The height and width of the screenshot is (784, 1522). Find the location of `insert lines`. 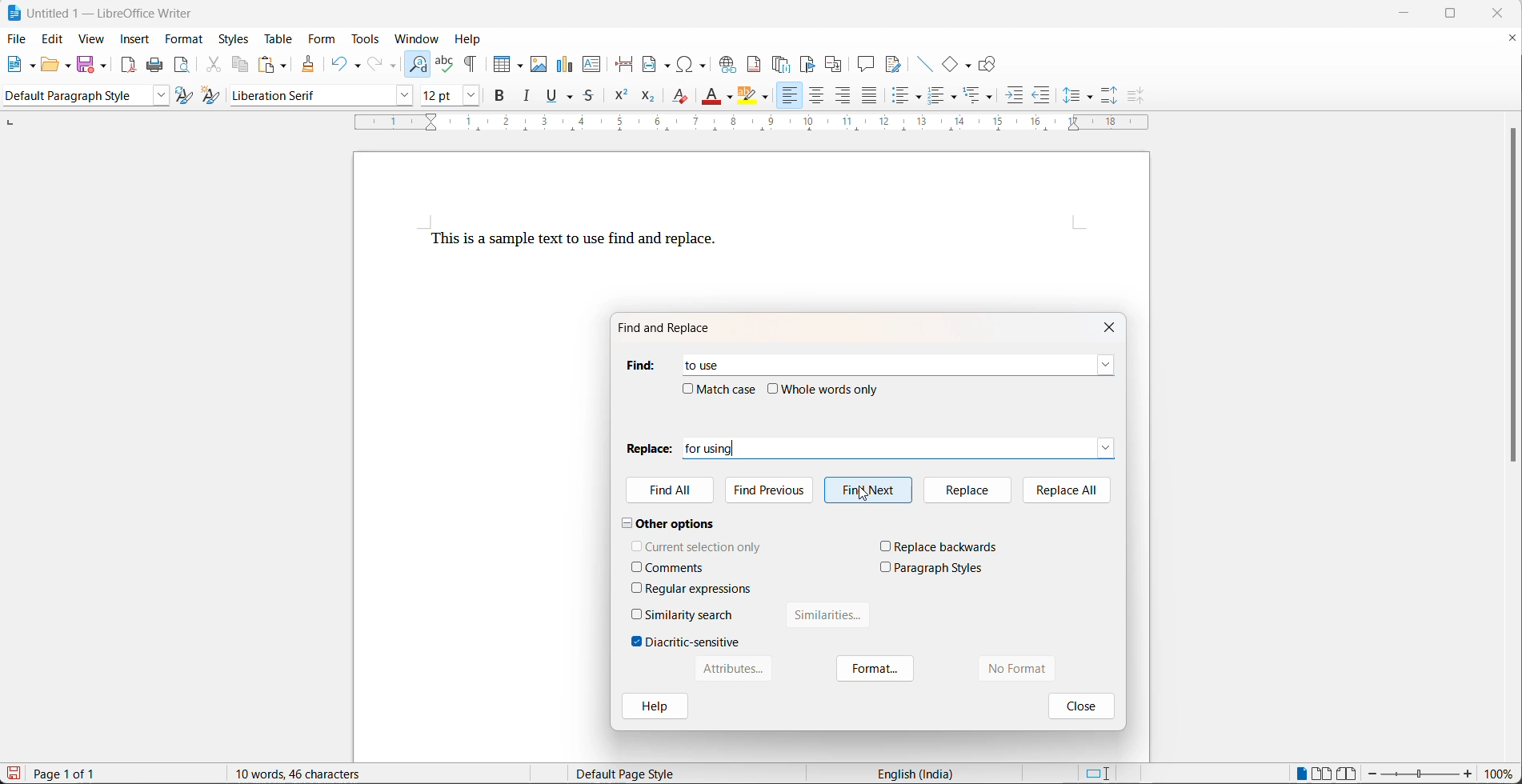

insert lines is located at coordinates (924, 64).